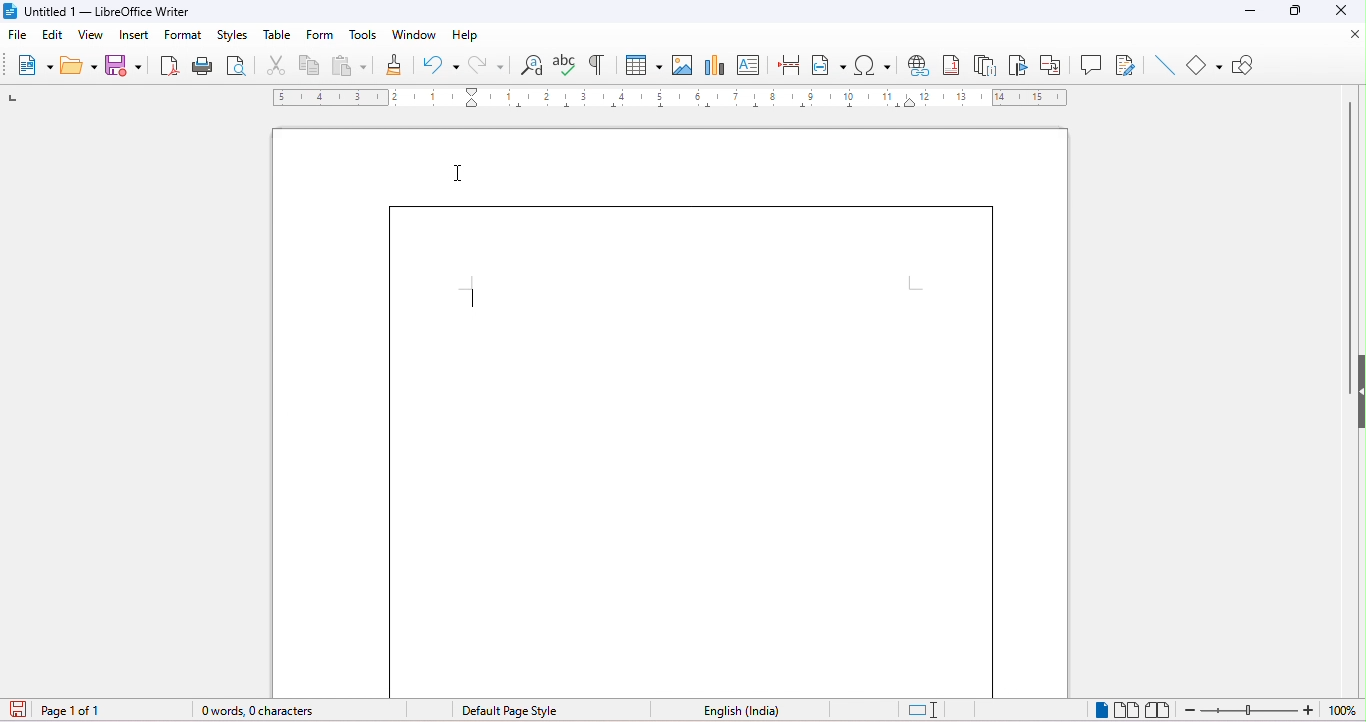 The width and height of the screenshot is (1366, 722). I want to click on toggle formatting marks, so click(596, 63).